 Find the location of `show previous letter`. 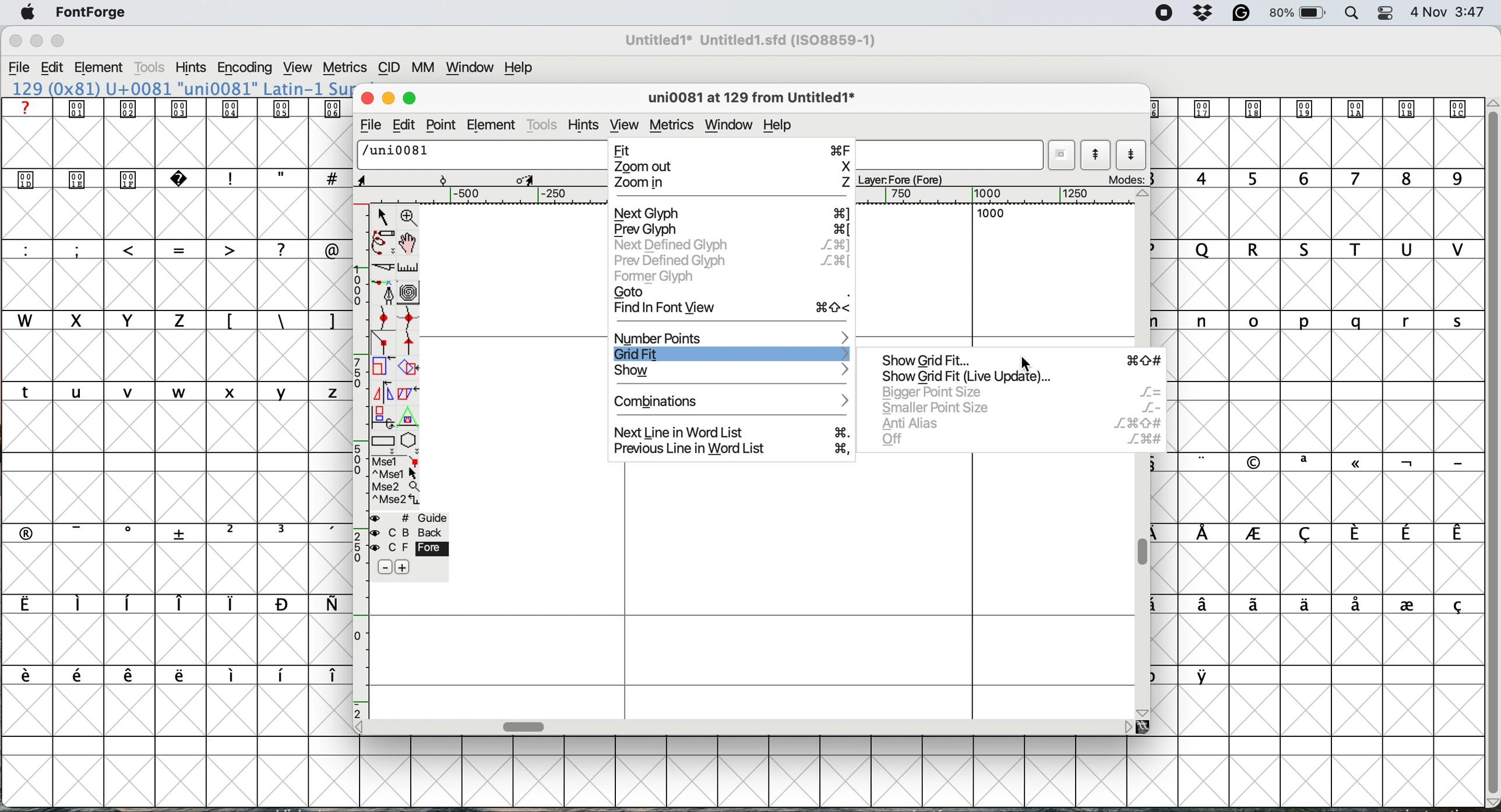

show previous letter is located at coordinates (1095, 155).